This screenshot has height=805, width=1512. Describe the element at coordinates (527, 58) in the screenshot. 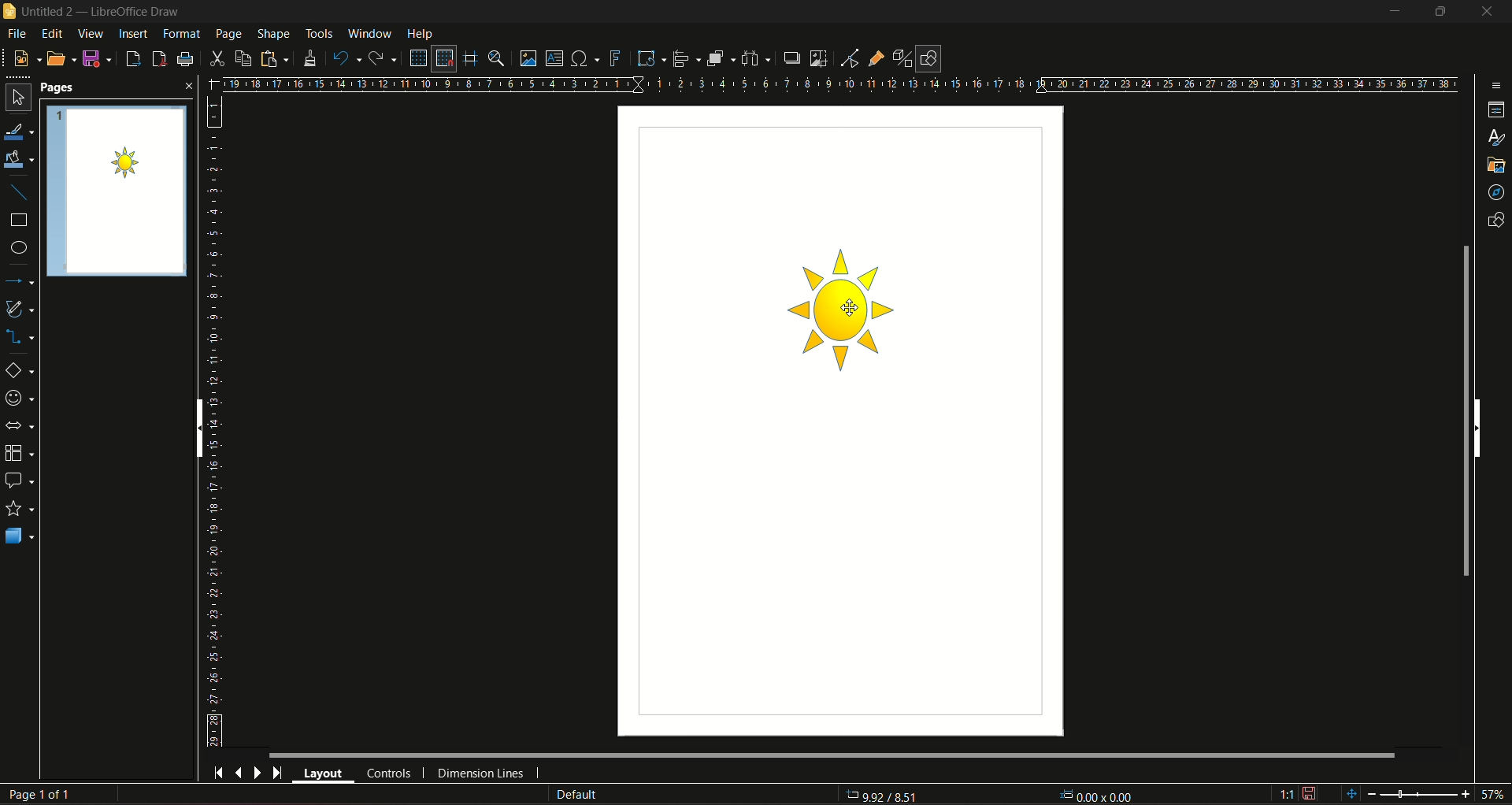

I see `insert image` at that location.